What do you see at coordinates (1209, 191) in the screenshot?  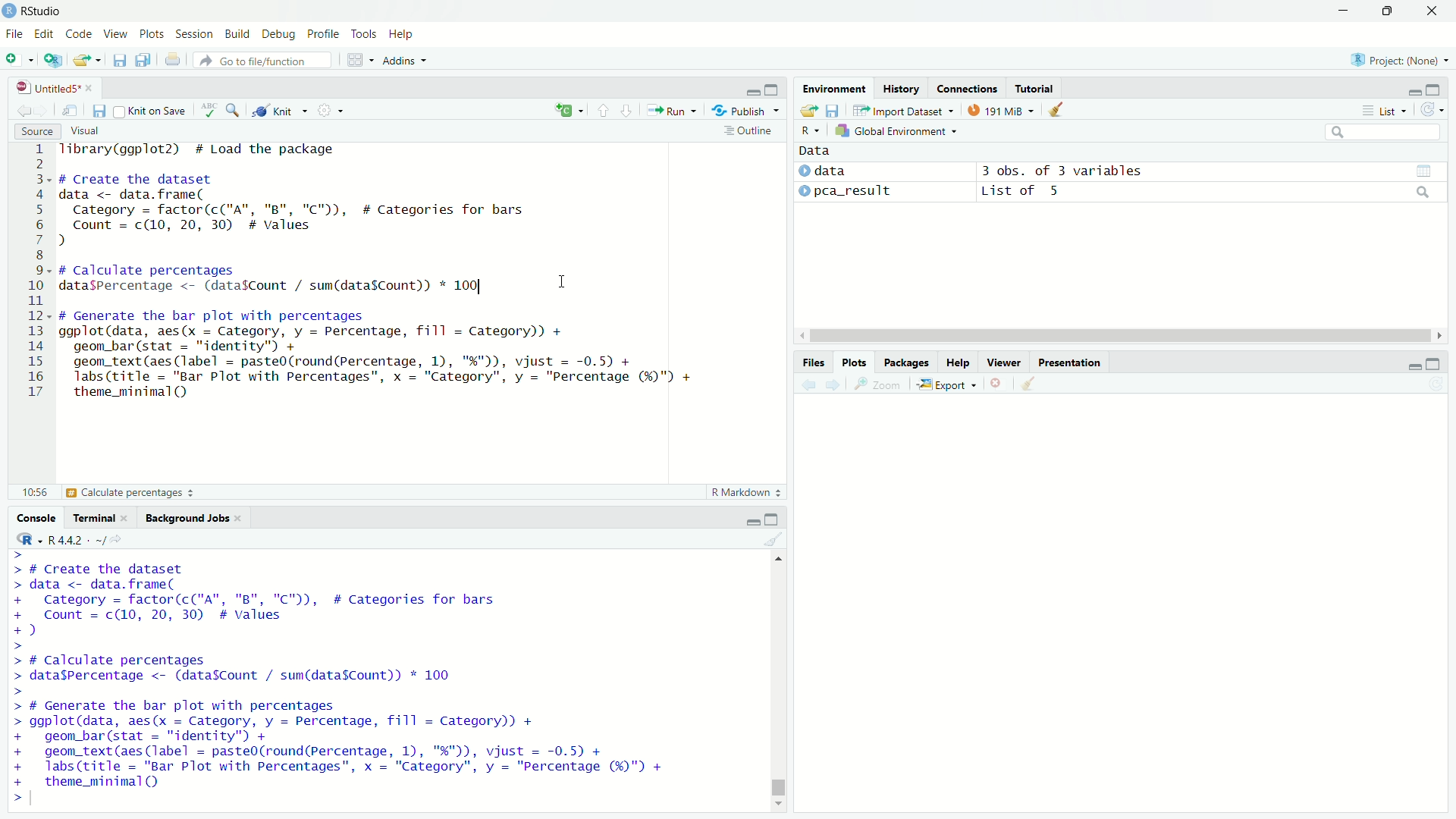 I see `list of 5` at bounding box center [1209, 191].